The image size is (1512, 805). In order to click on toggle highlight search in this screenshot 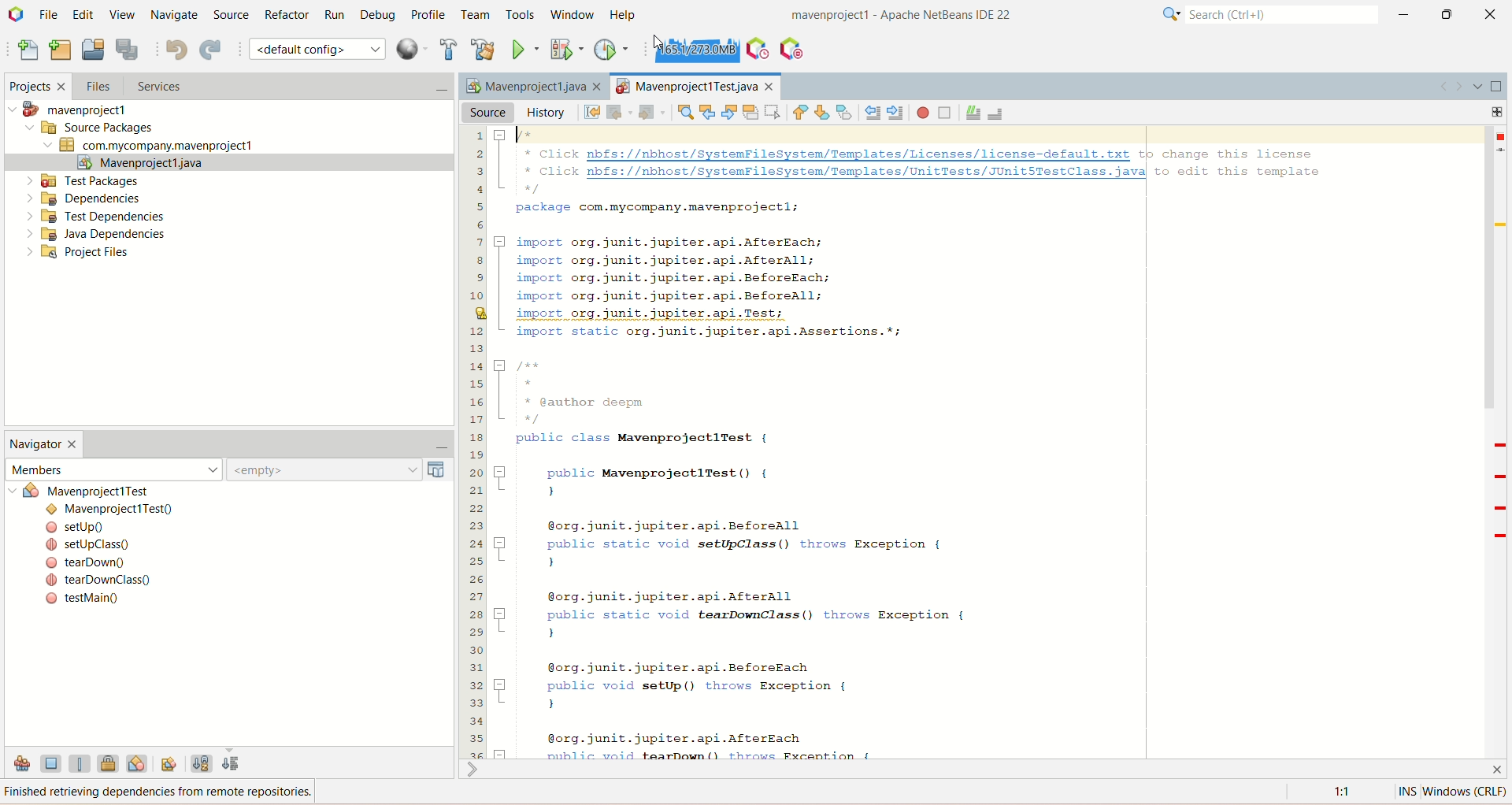, I will do `click(750, 113)`.